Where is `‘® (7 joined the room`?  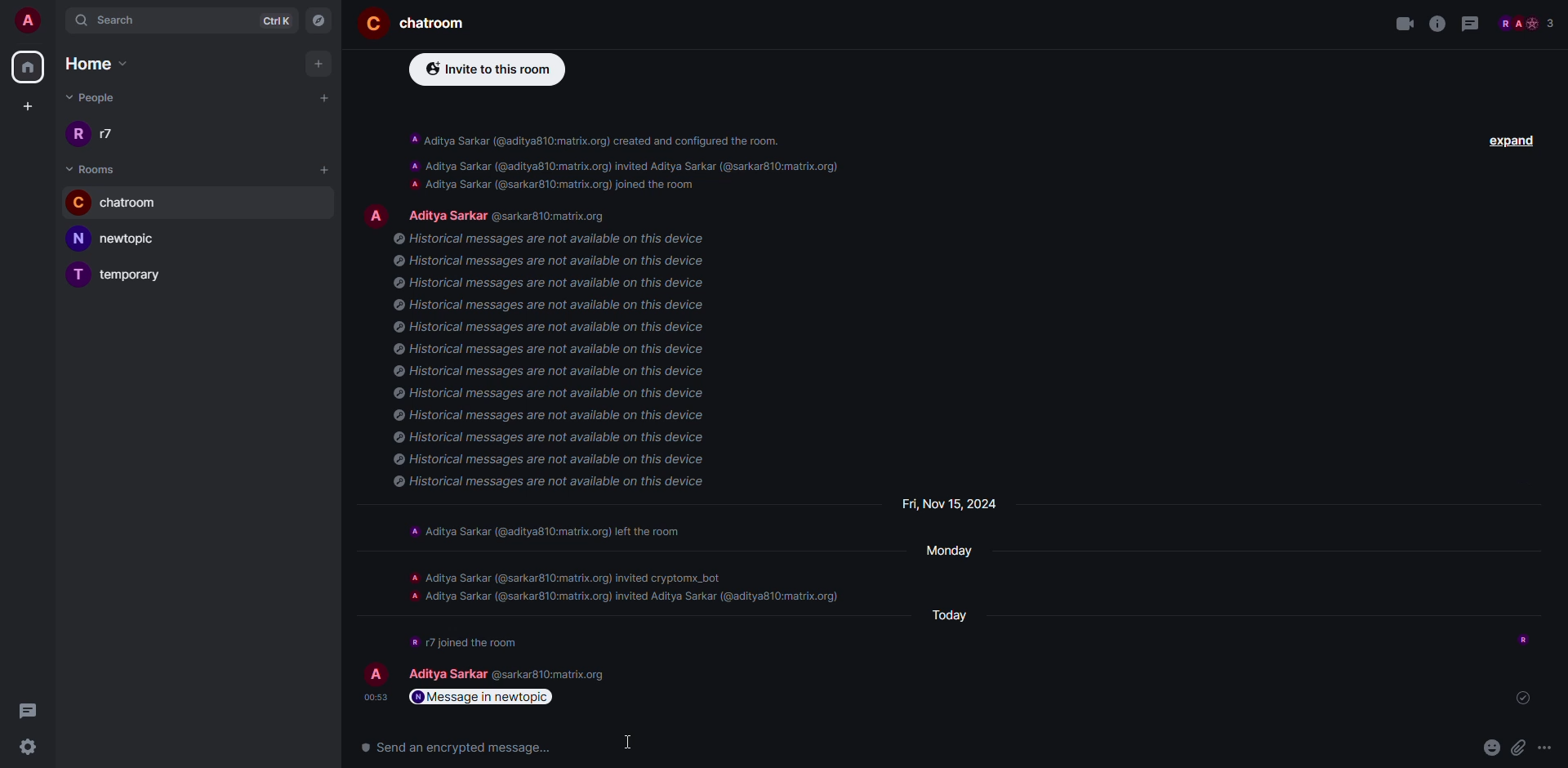 ‘® (7 joined the room is located at coordinates (464, 641).